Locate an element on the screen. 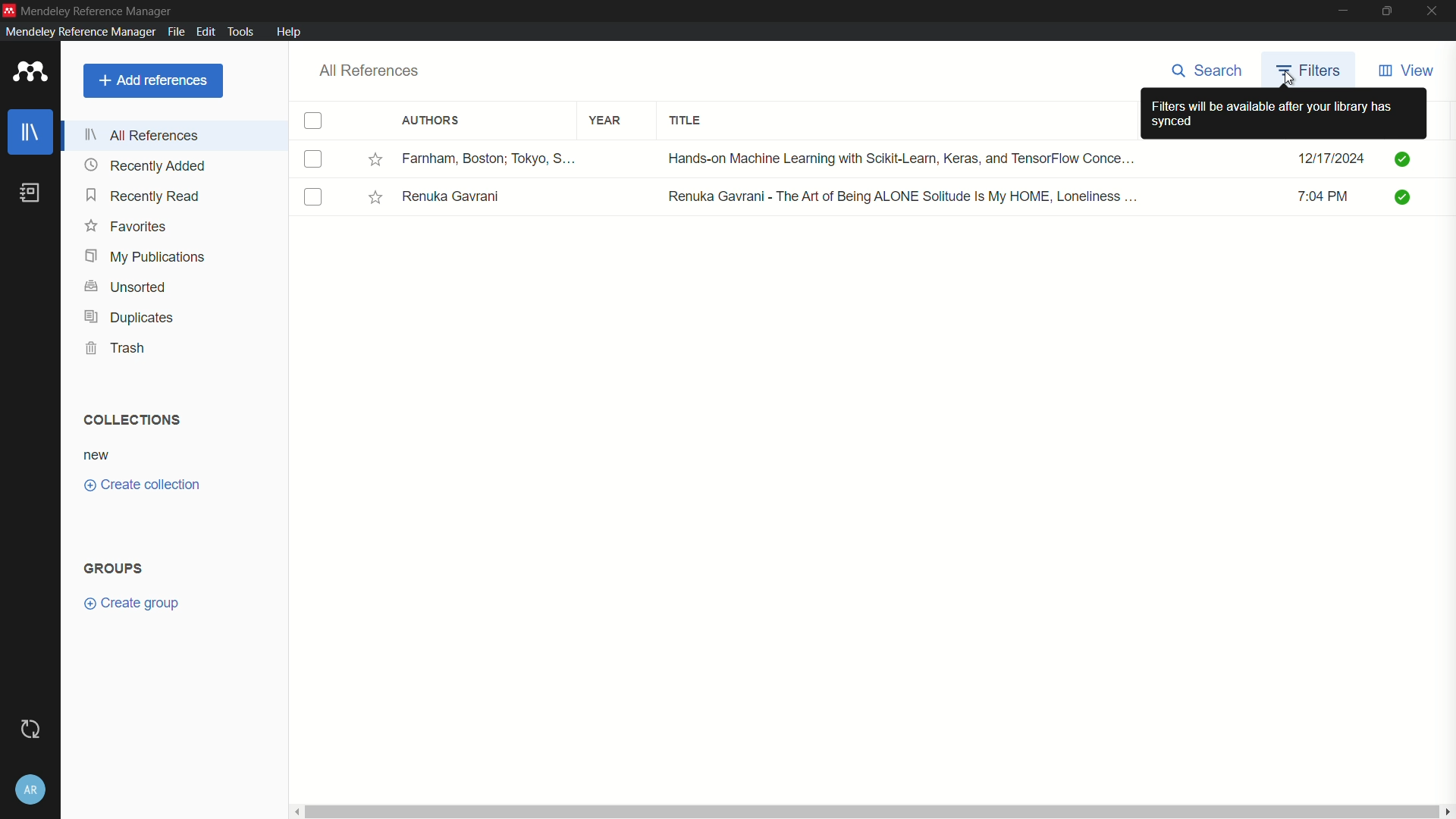 This screenshot has width=1456, height=819. close app is located at coordinates (1435, 11).